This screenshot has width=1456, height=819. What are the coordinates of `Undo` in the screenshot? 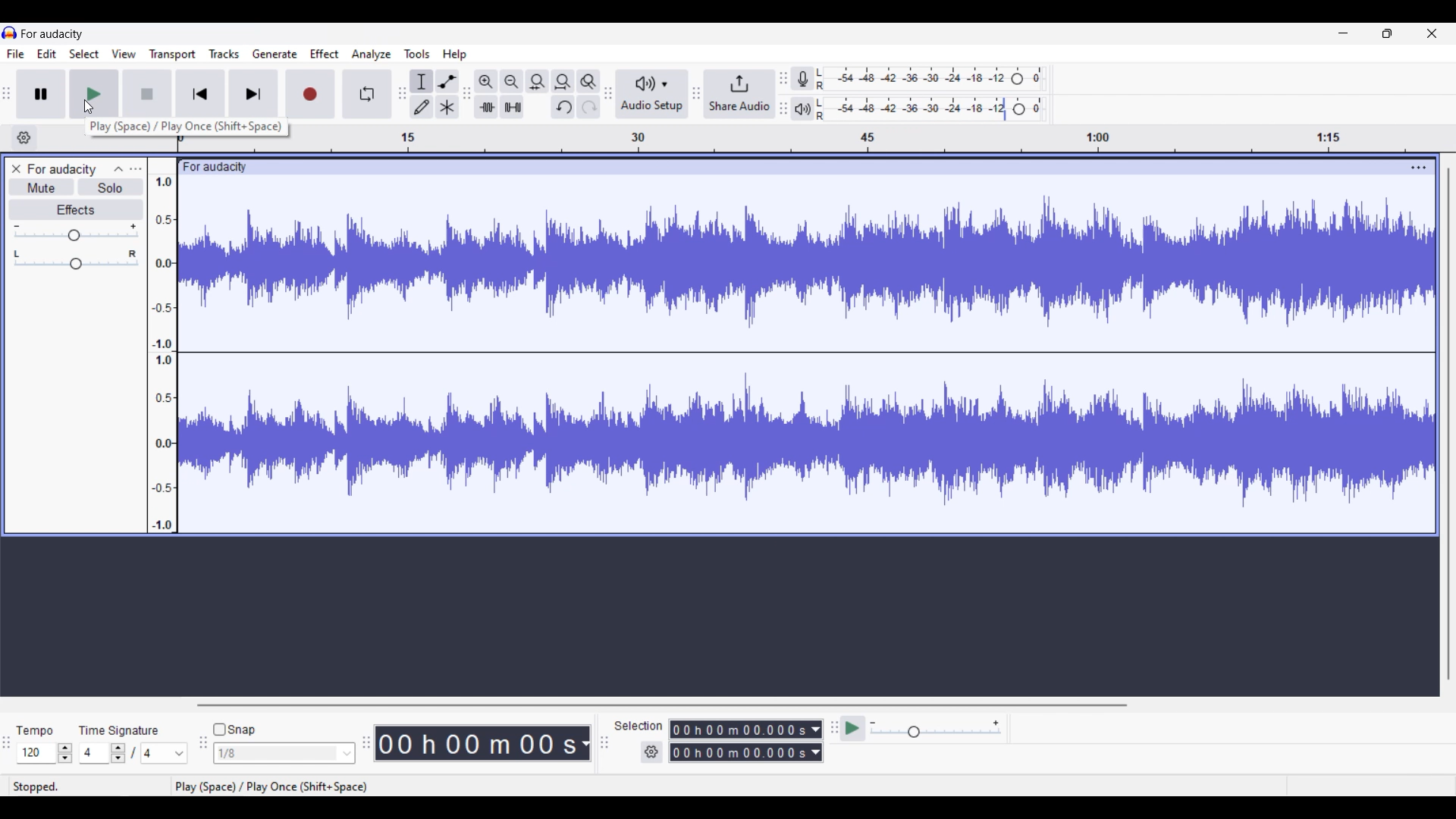 It's located at (563, 107).